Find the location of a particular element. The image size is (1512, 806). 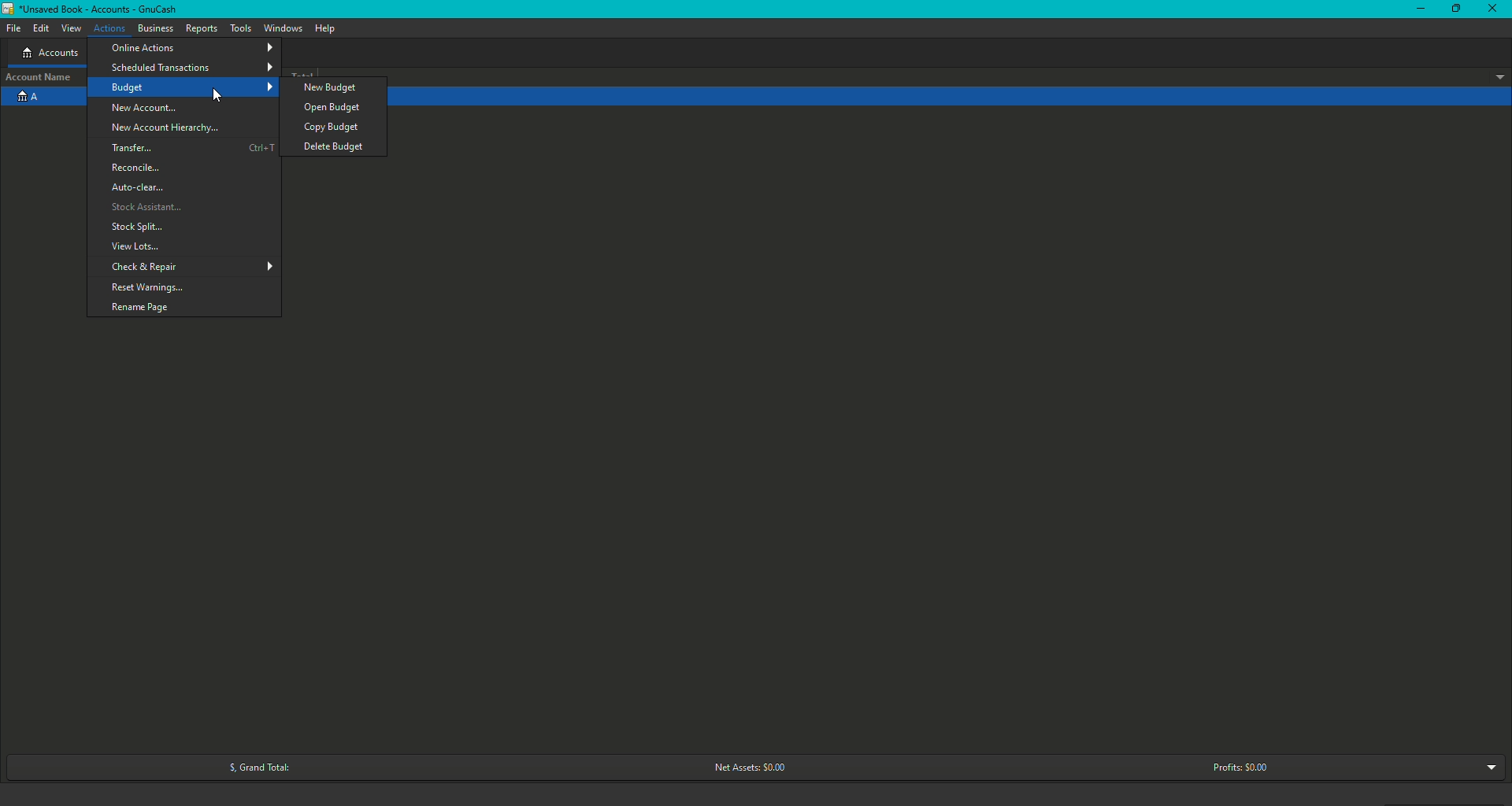

Net Assets is located at coordinates (747, 767).